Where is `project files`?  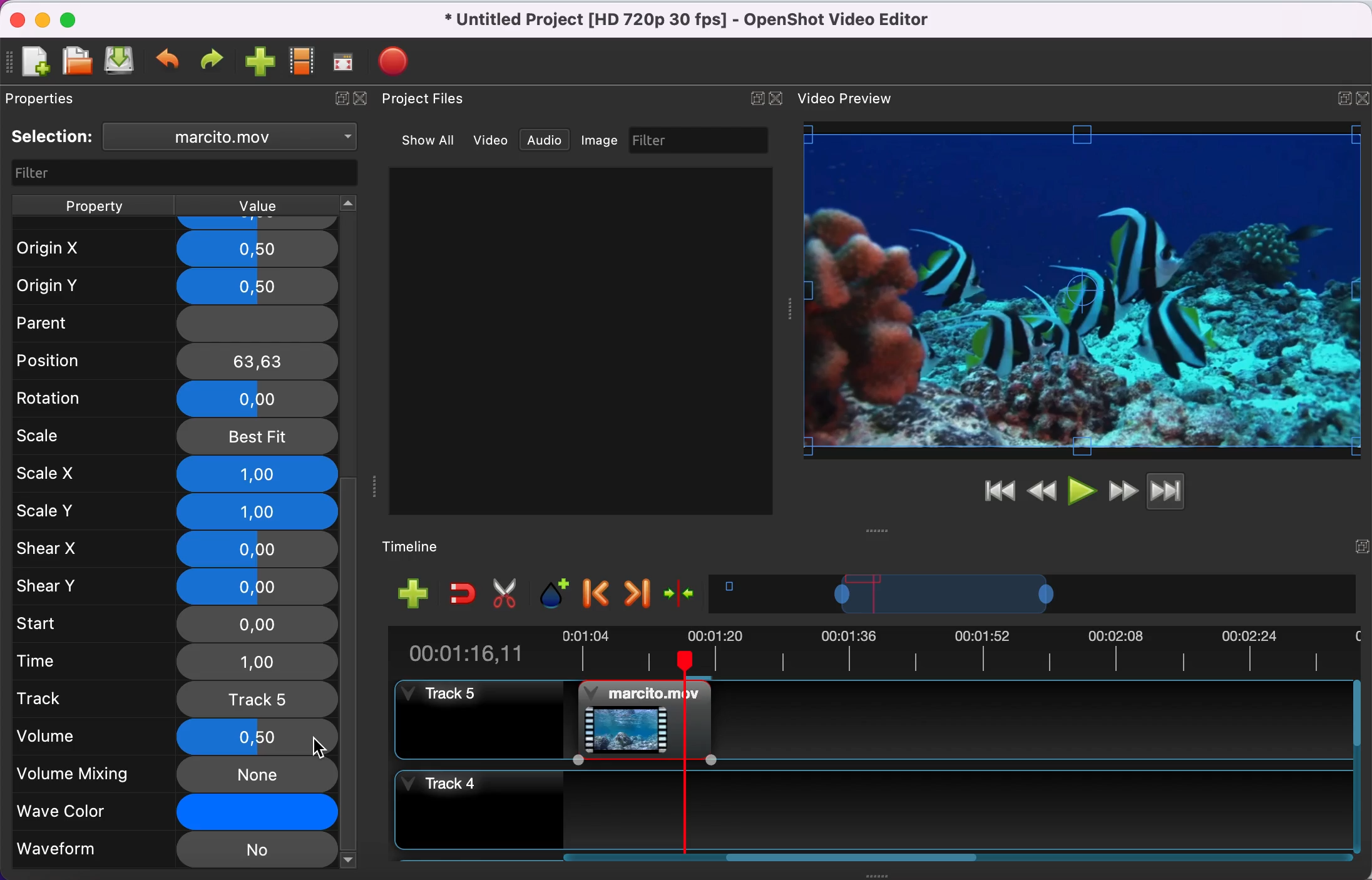
project files is located at coordinates (435, 100).